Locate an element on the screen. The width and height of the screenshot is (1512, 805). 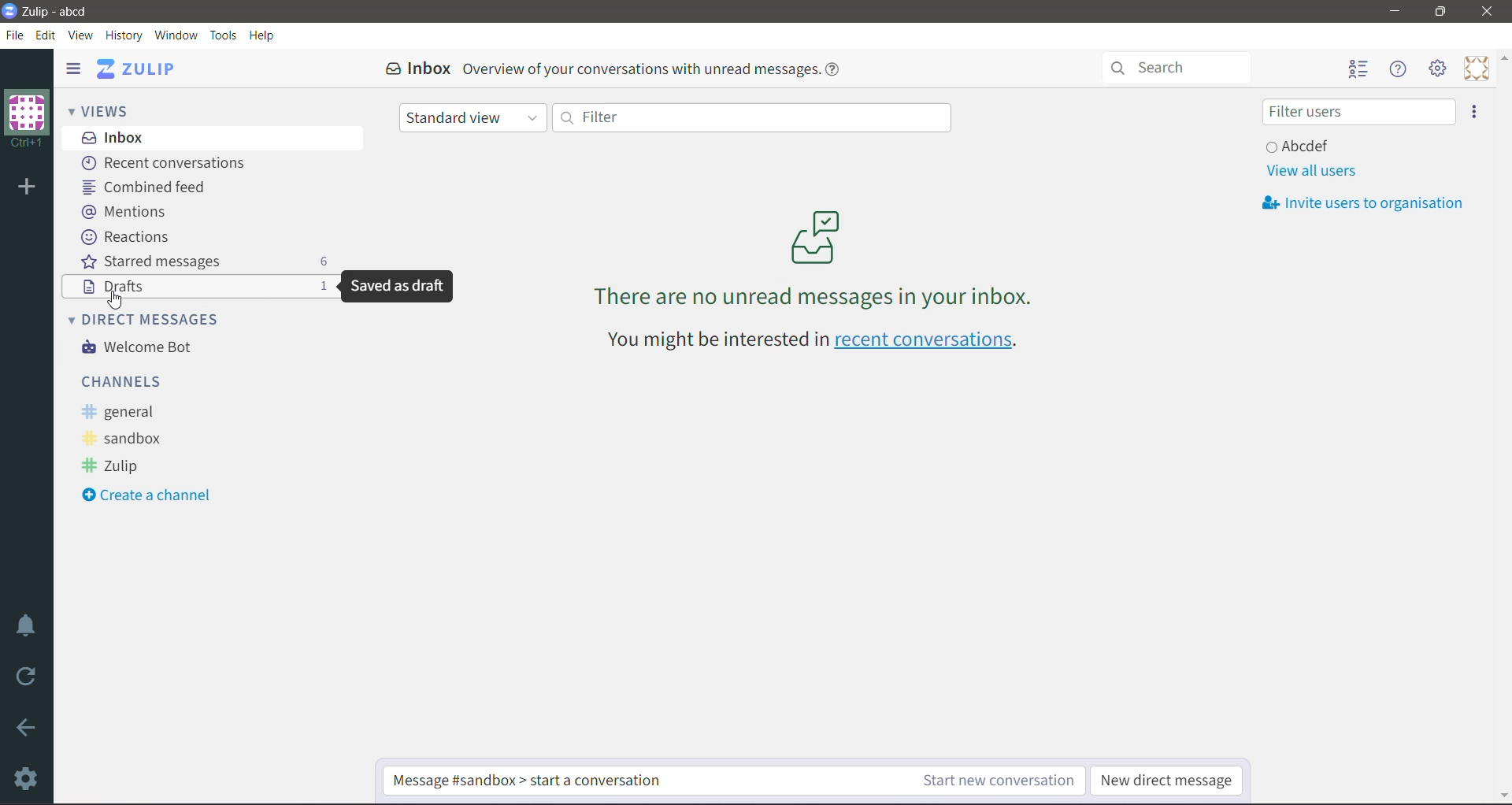
Recent conversations is located at coordinates (169, 164).